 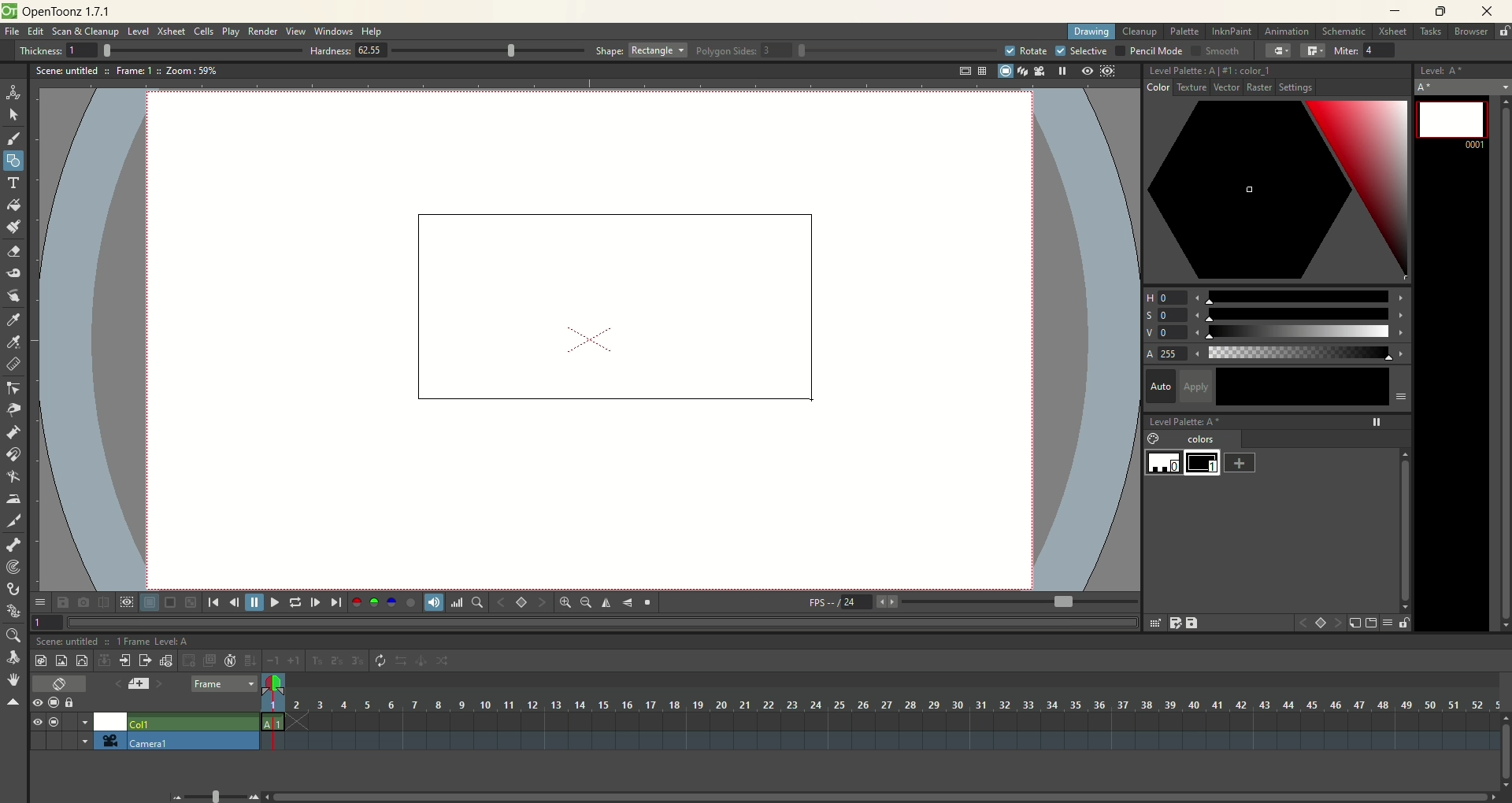 What do you see at coordinates (15, 32) in the screenshot?
I see `file` at bounding box center [15, 32].